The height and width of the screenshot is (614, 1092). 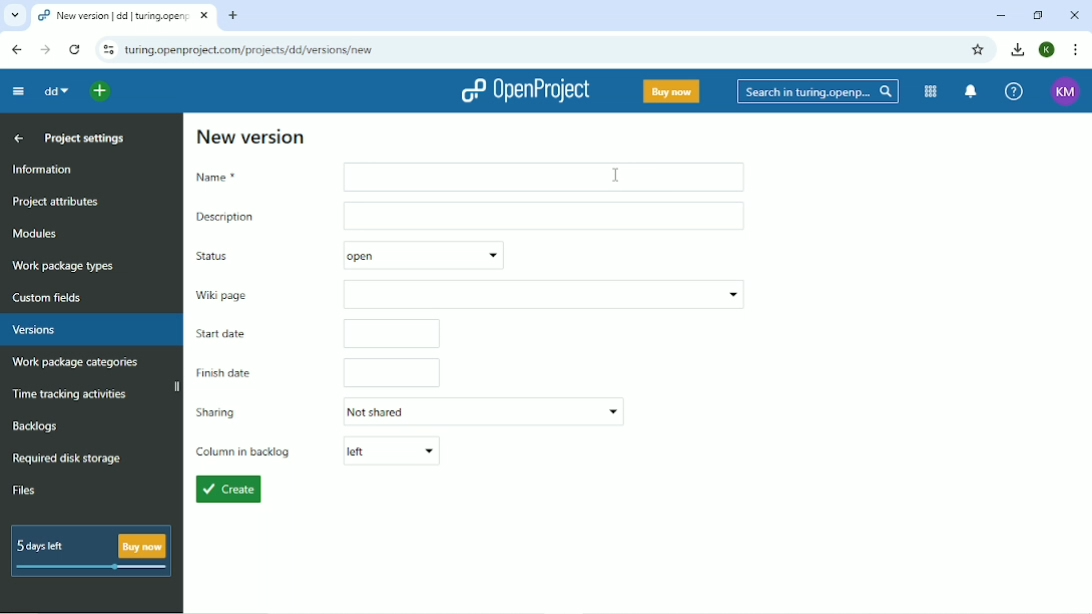 I want to click on Select a project, so click(x=99, y=92).